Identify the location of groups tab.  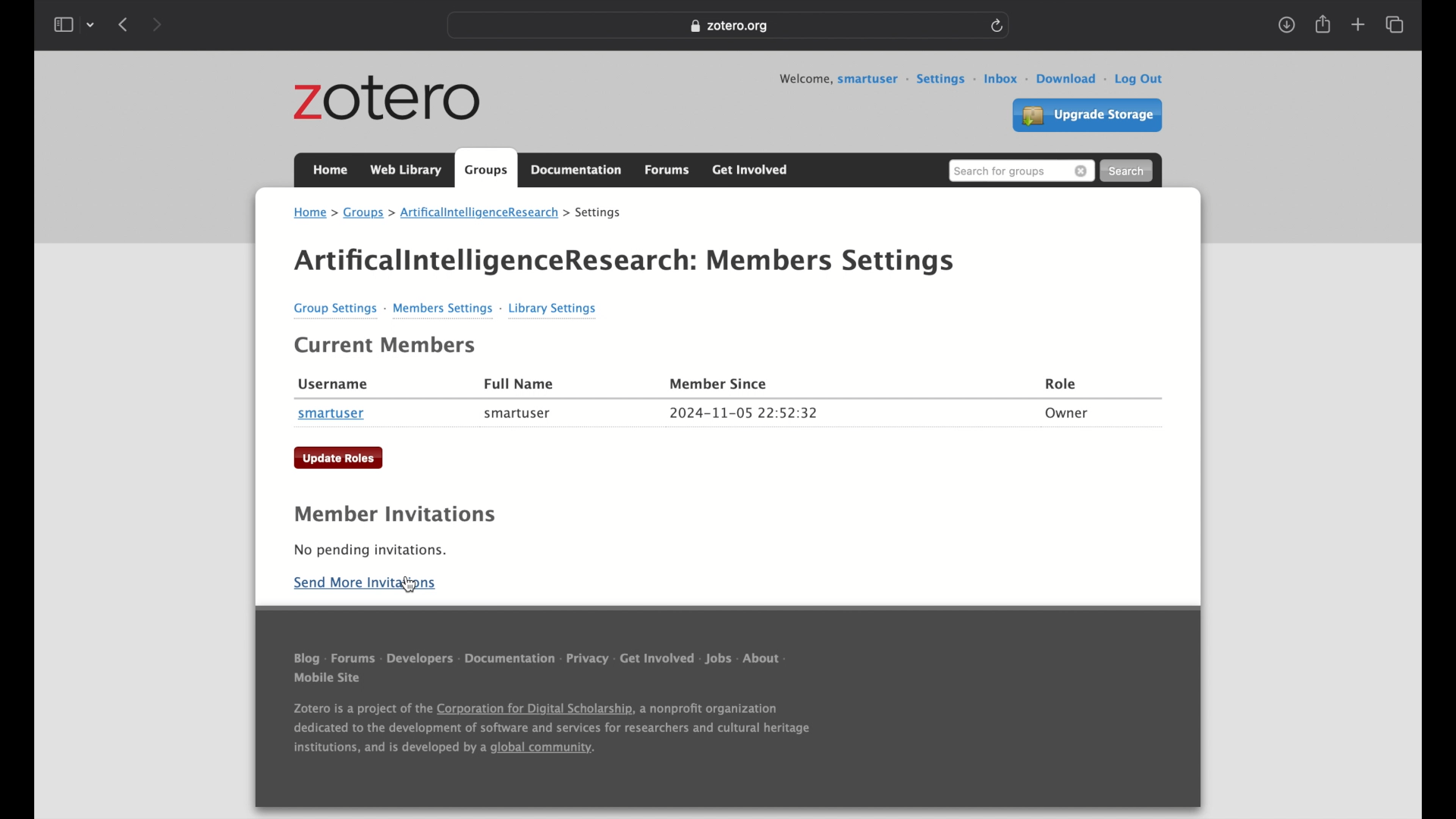
(486, 168).